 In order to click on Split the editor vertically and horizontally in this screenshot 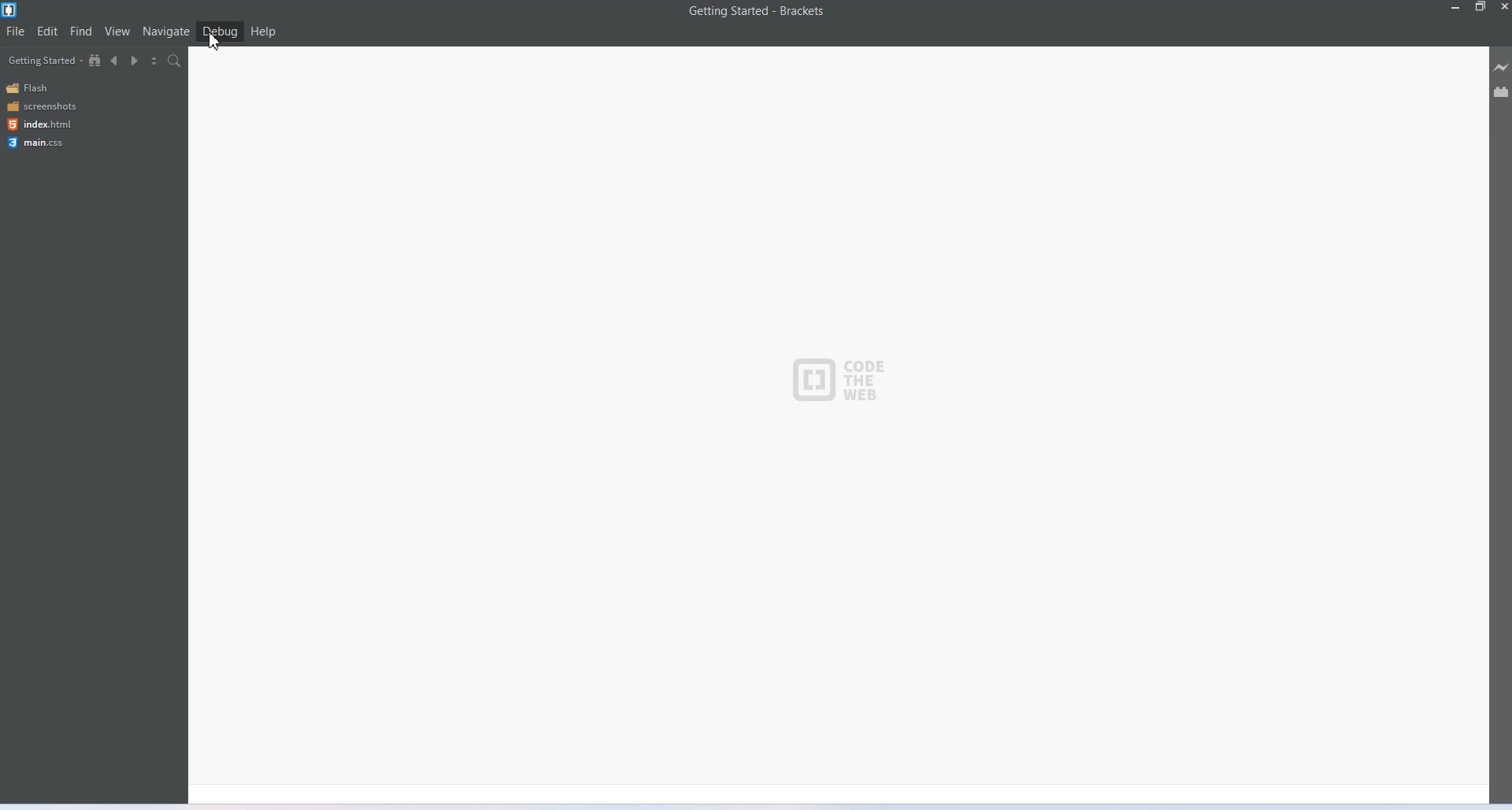, I will do `click(154, 61)`.